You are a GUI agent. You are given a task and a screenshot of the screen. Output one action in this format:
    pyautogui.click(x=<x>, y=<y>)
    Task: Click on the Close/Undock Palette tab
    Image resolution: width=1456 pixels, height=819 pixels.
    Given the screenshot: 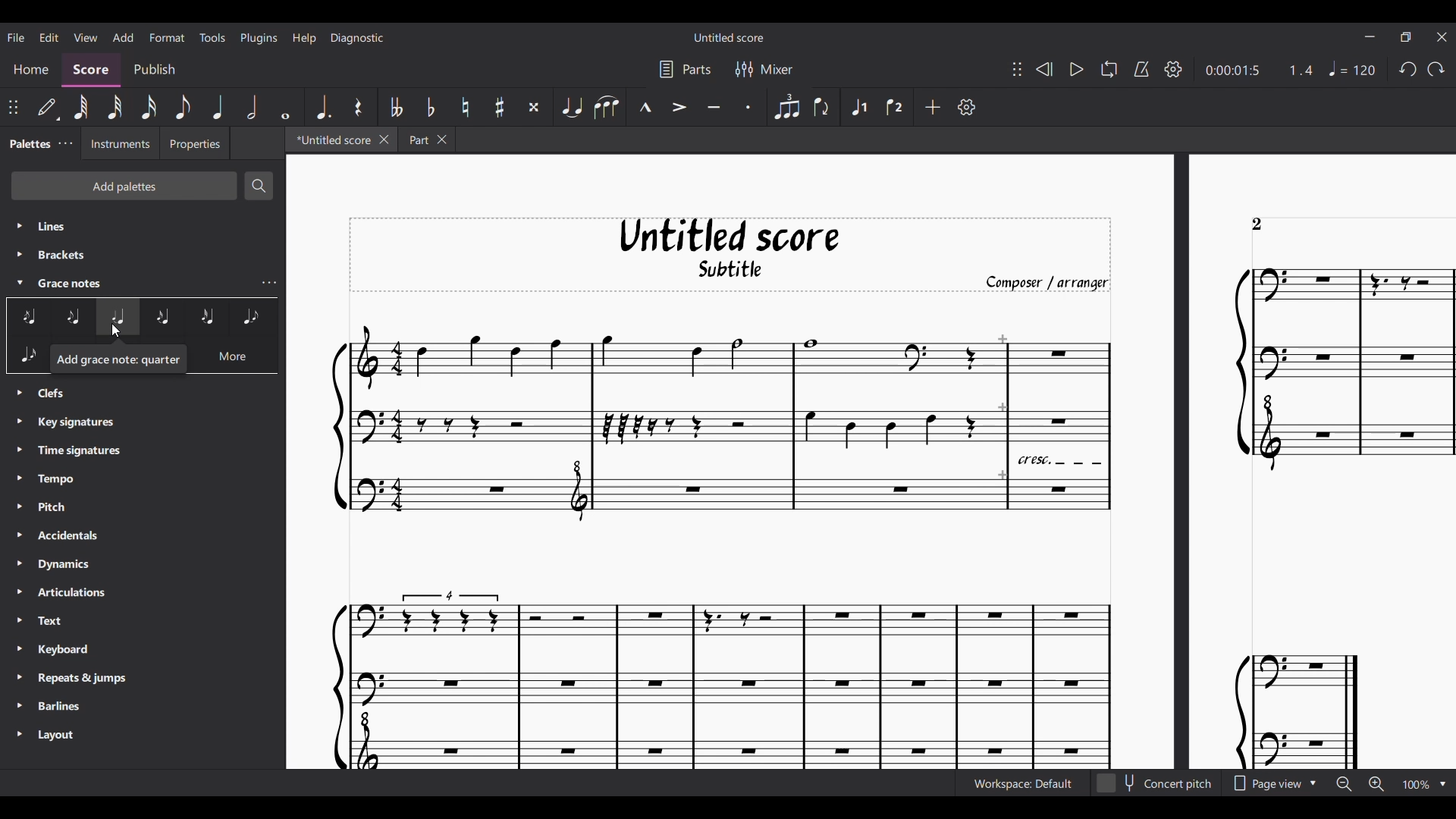 What is the action you would take?
    pyautogui.click(x=65, y=143)
    